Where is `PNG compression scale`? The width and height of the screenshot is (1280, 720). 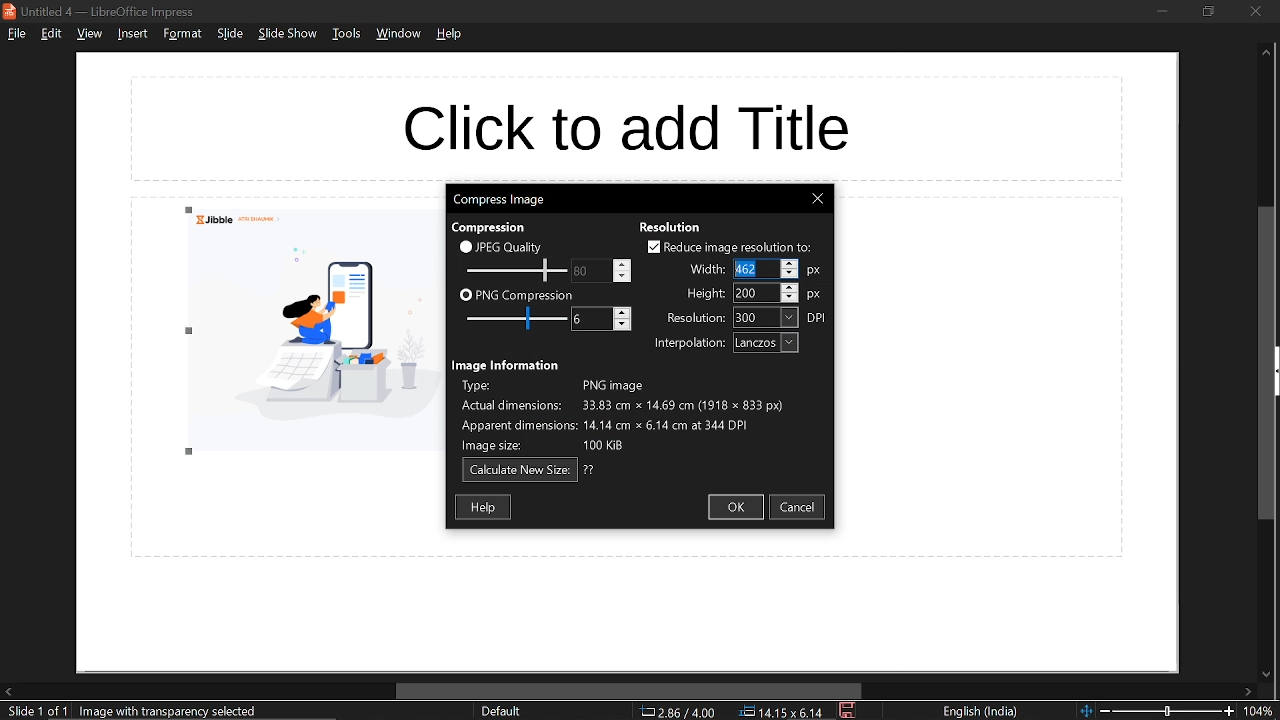 PNG compression scale is located at coordinates (589, 271).